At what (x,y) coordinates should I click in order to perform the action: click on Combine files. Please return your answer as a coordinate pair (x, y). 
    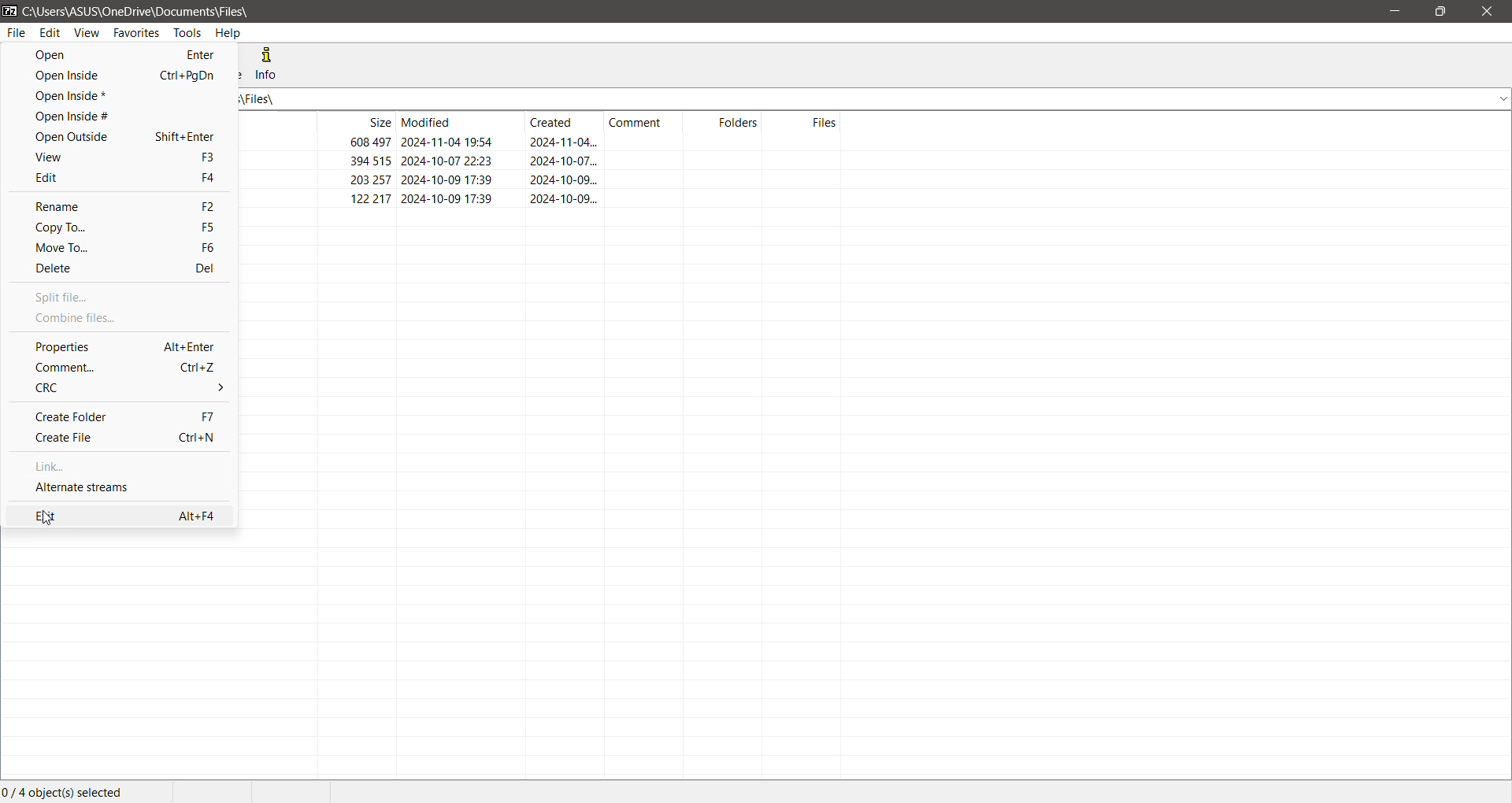
    Looking at the image, I should click on (84, 320).